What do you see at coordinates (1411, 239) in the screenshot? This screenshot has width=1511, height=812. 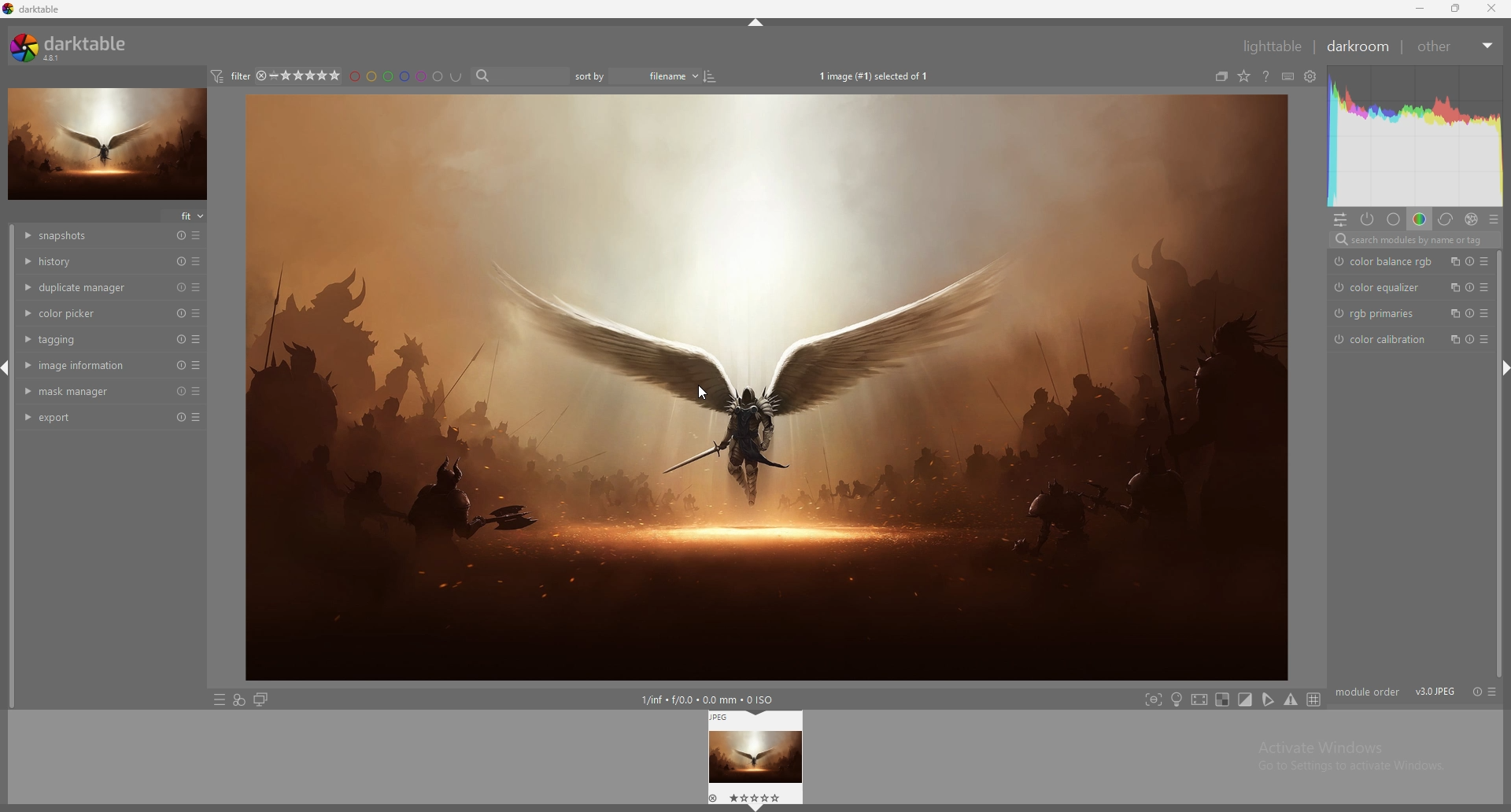 I see `search modules by name or tag` at bounding box center [1411, 239].